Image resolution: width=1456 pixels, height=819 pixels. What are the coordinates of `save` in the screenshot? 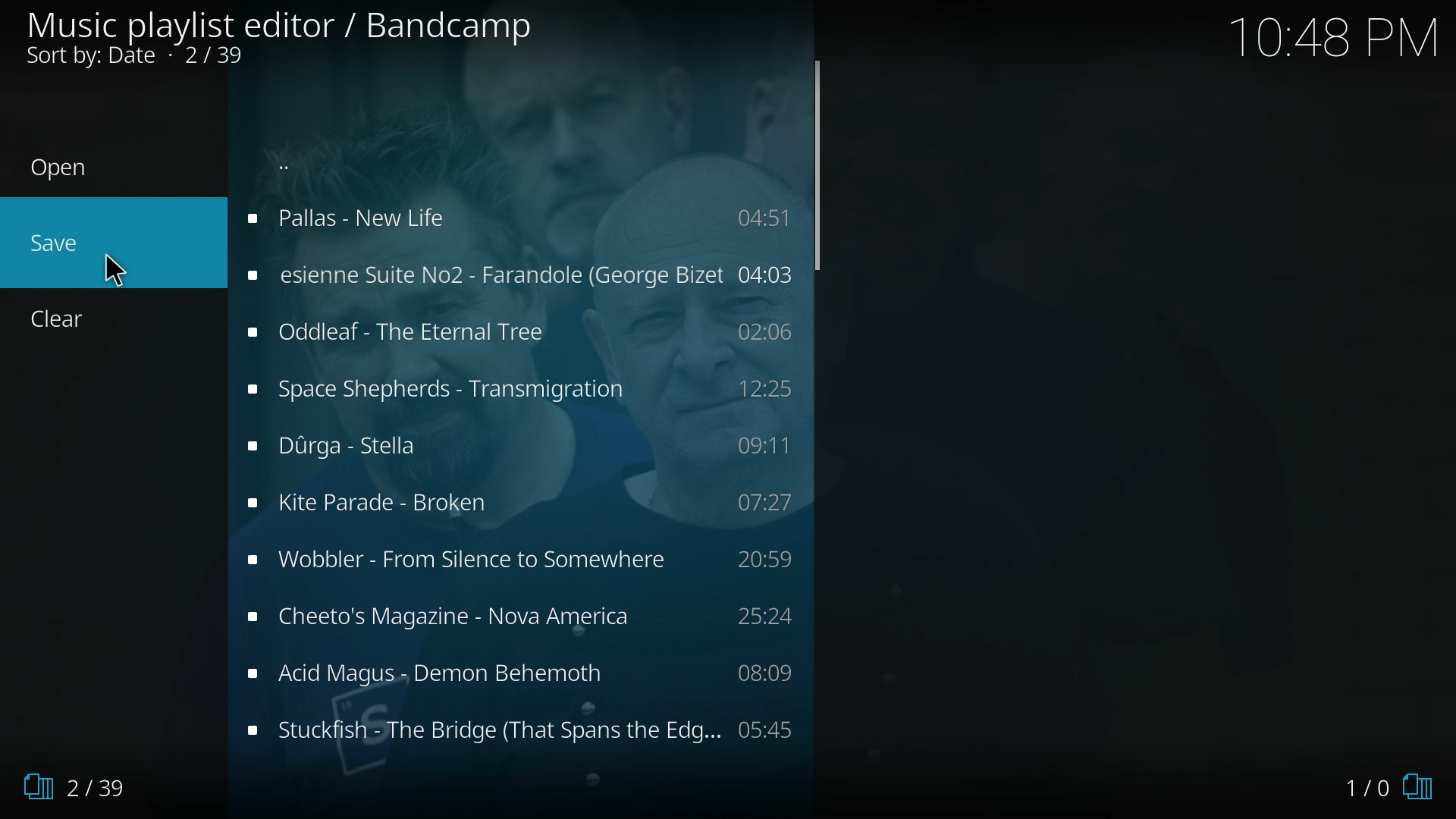 It's located at (43, 245).